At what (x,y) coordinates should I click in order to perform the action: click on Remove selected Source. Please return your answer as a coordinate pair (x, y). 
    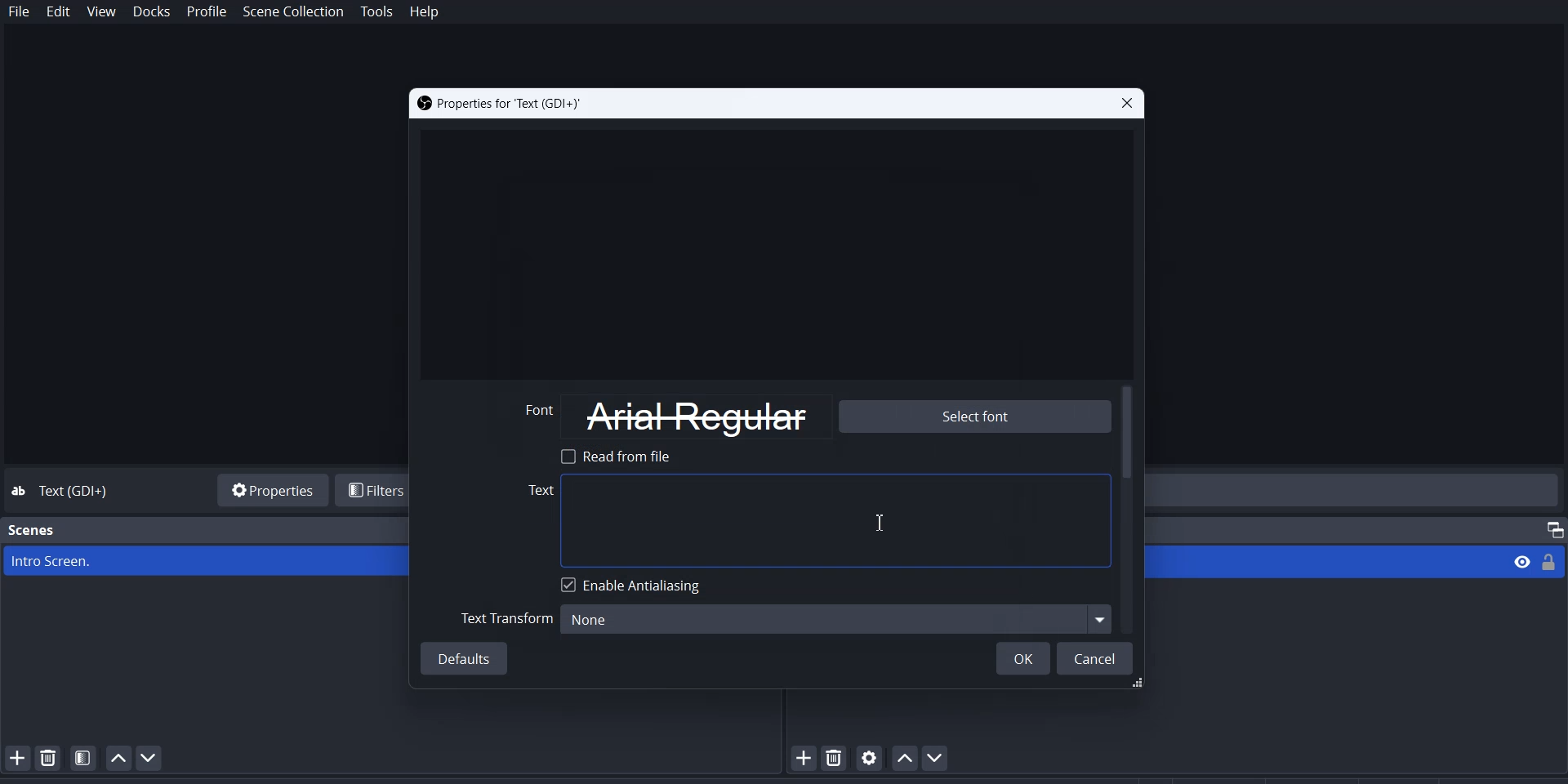
    Looking at the image, I should click on (836, 757).